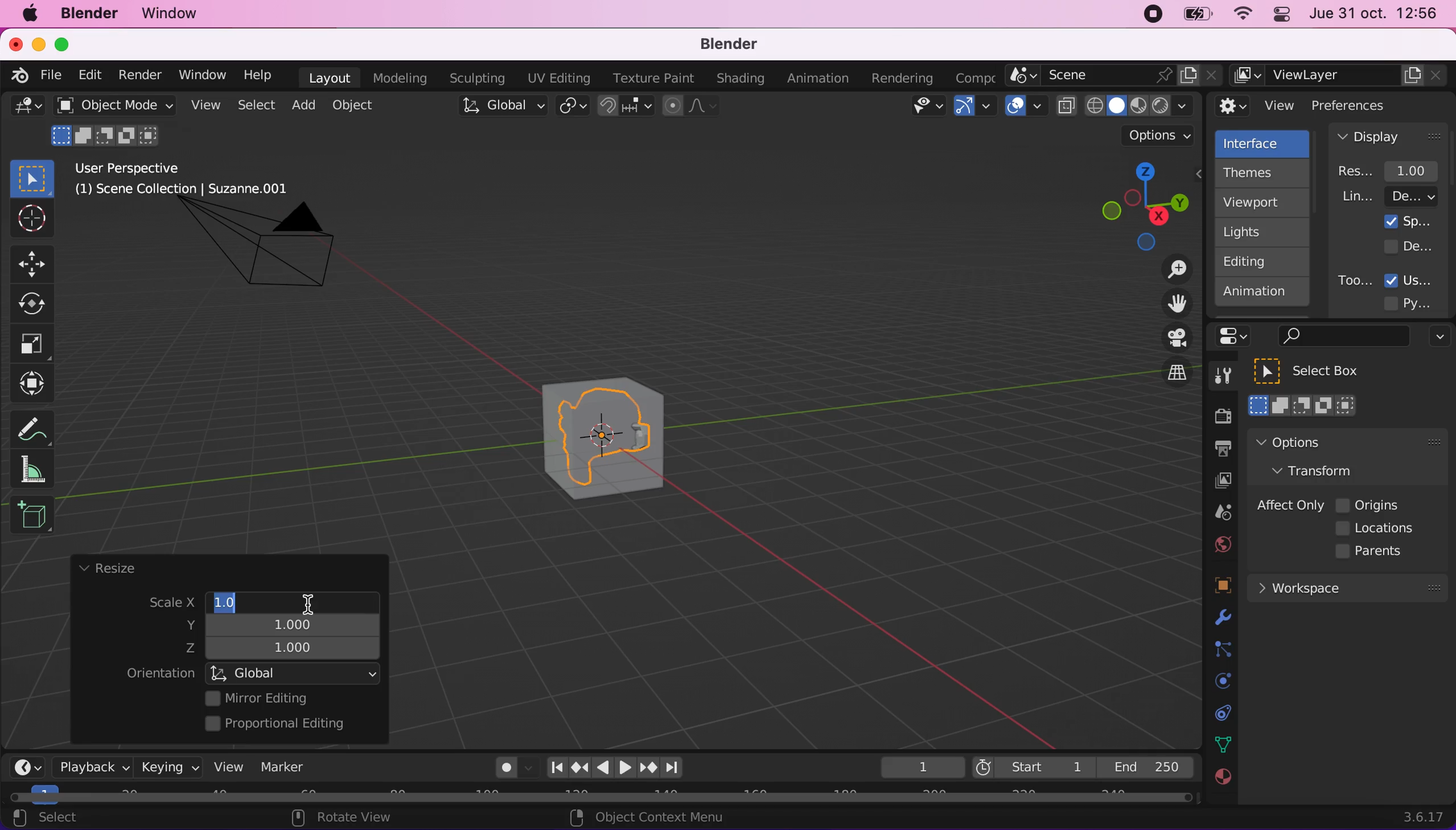 The width and height of the screenshot is (1456, 830). Describe the element at coordinates (741, 79) in the screenshot. I see `shading` at that location.